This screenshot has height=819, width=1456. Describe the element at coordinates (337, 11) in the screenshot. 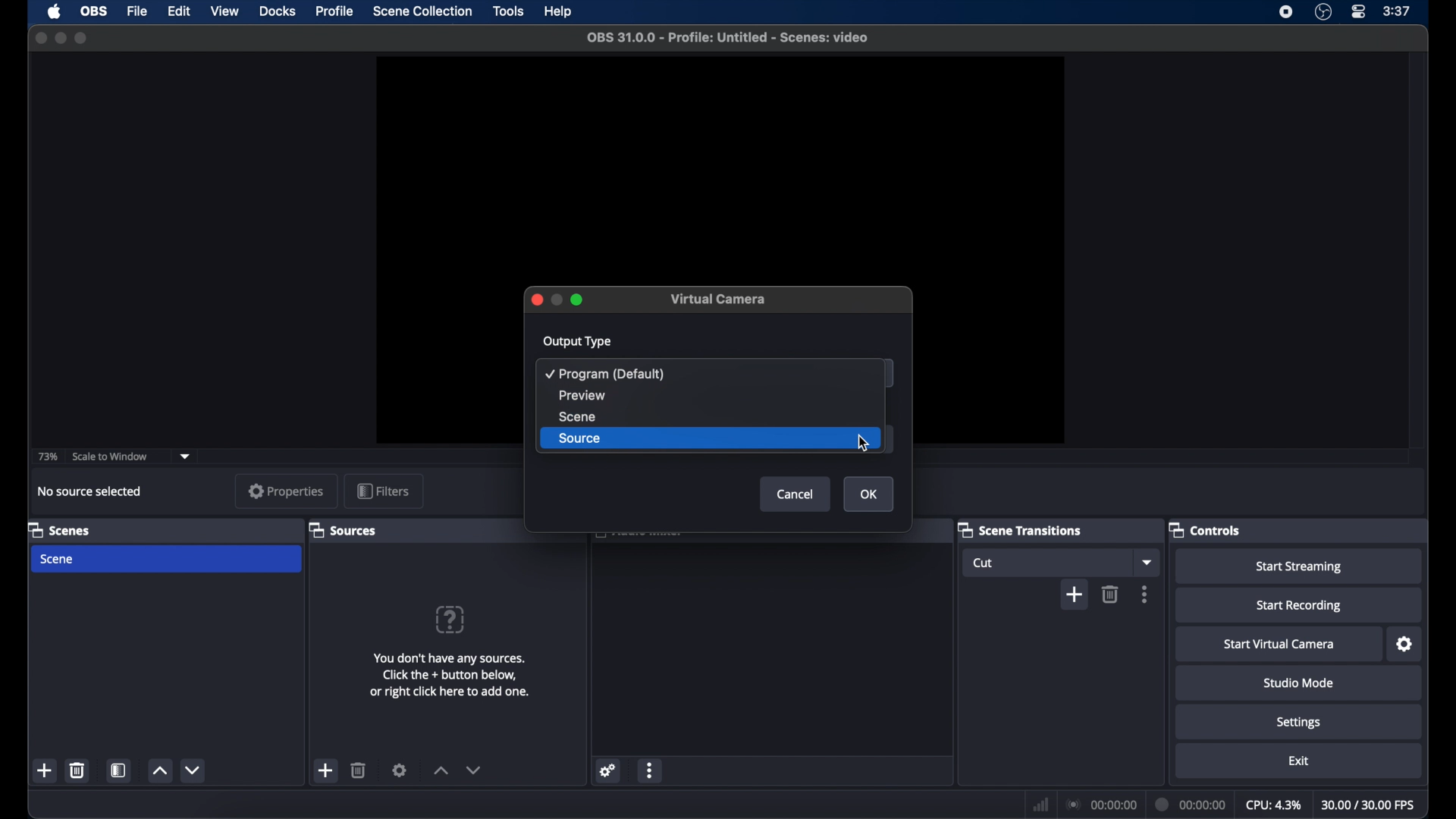

I see `profile` at that location.